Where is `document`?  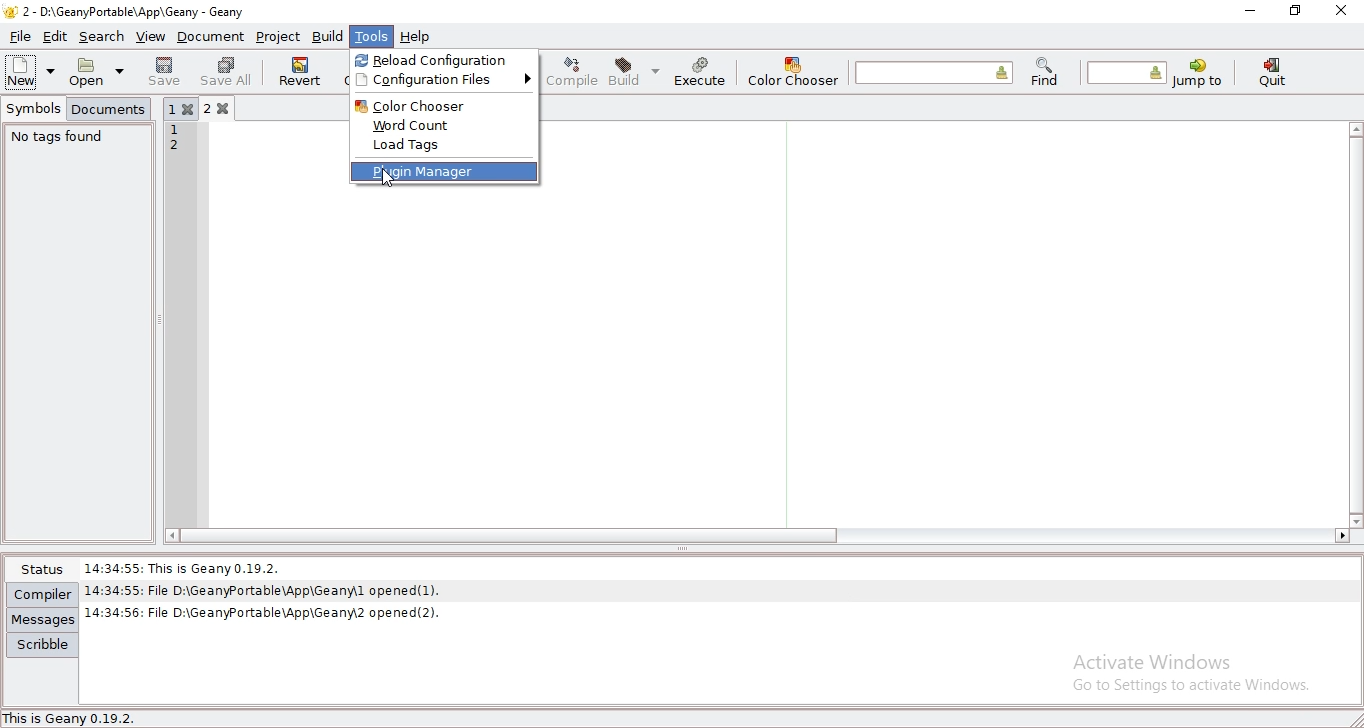 document is located at coordinates (211, 37).